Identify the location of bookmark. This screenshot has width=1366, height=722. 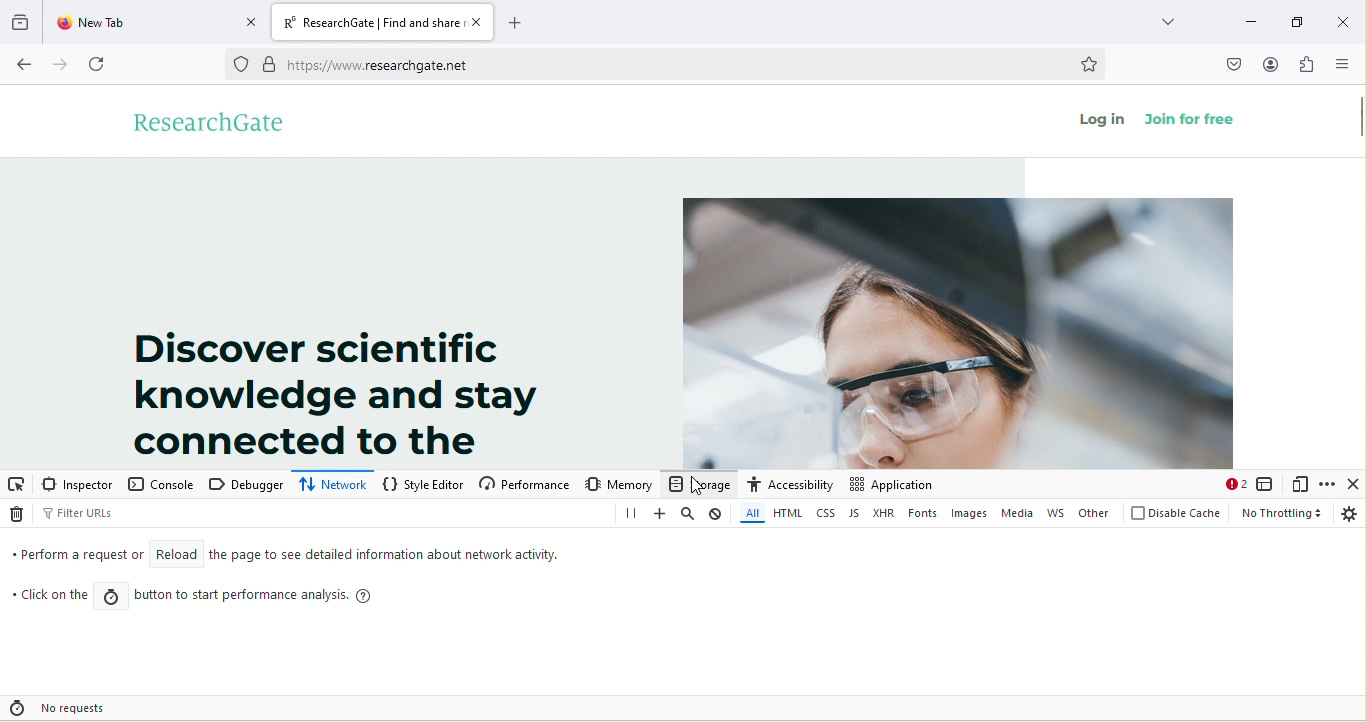
(1096, 63).